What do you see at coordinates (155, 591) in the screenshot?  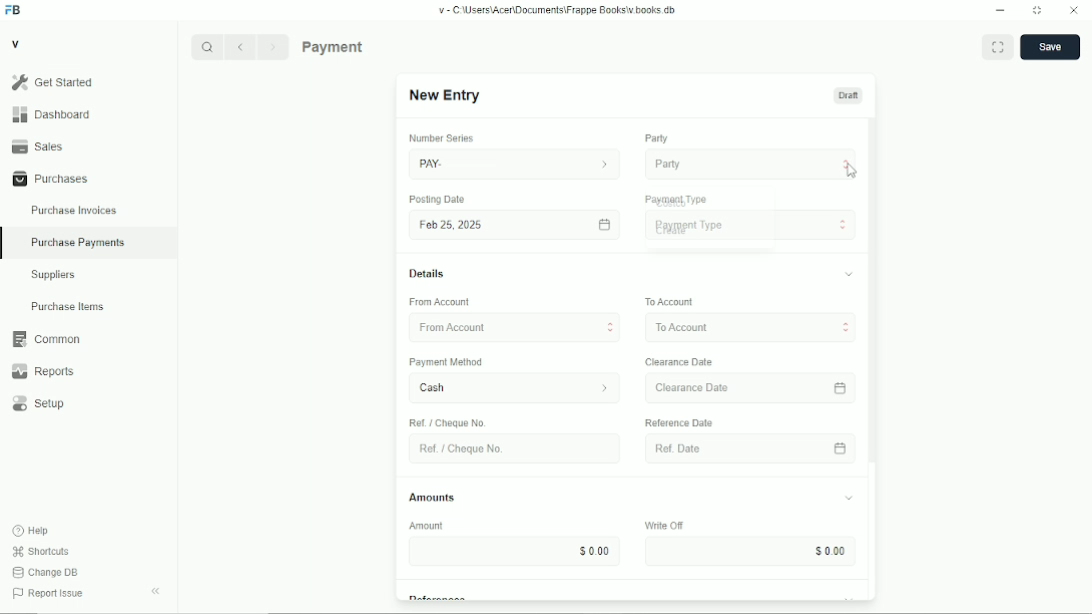 I see `Collapse` at bounding box center [155, 591].